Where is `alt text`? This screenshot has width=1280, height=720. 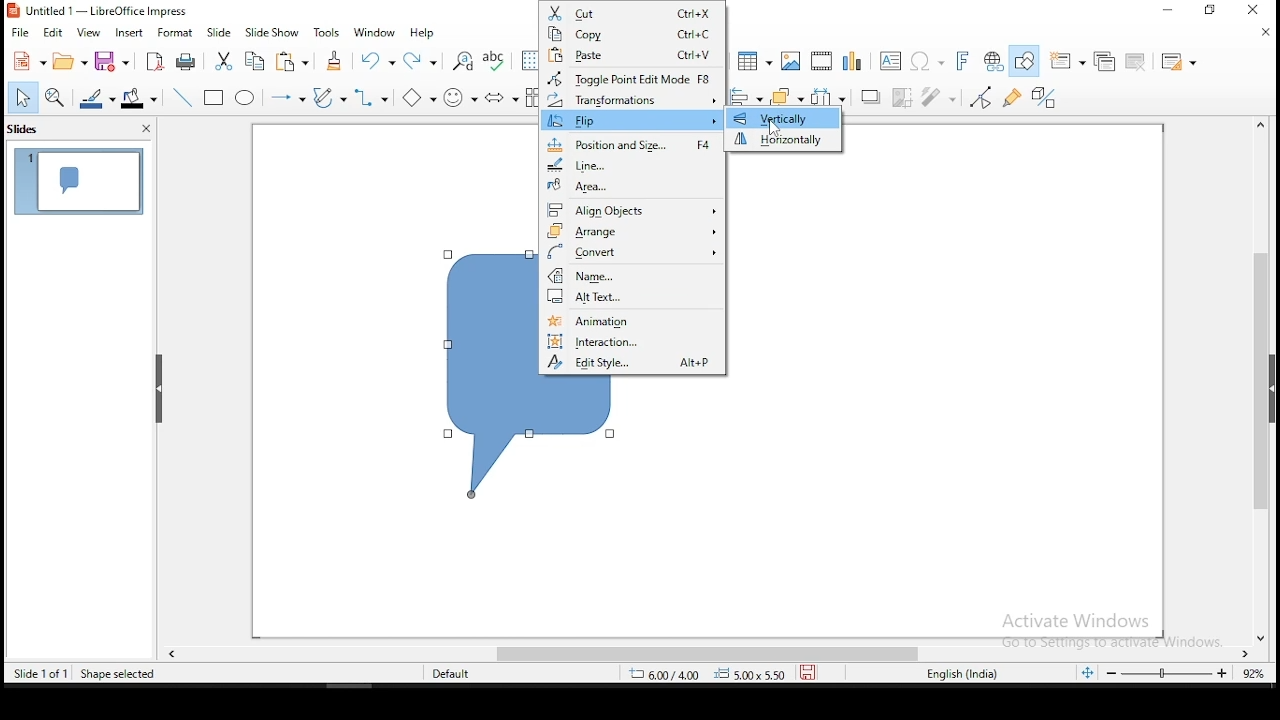 alt text is located at coordinates (634, 297).